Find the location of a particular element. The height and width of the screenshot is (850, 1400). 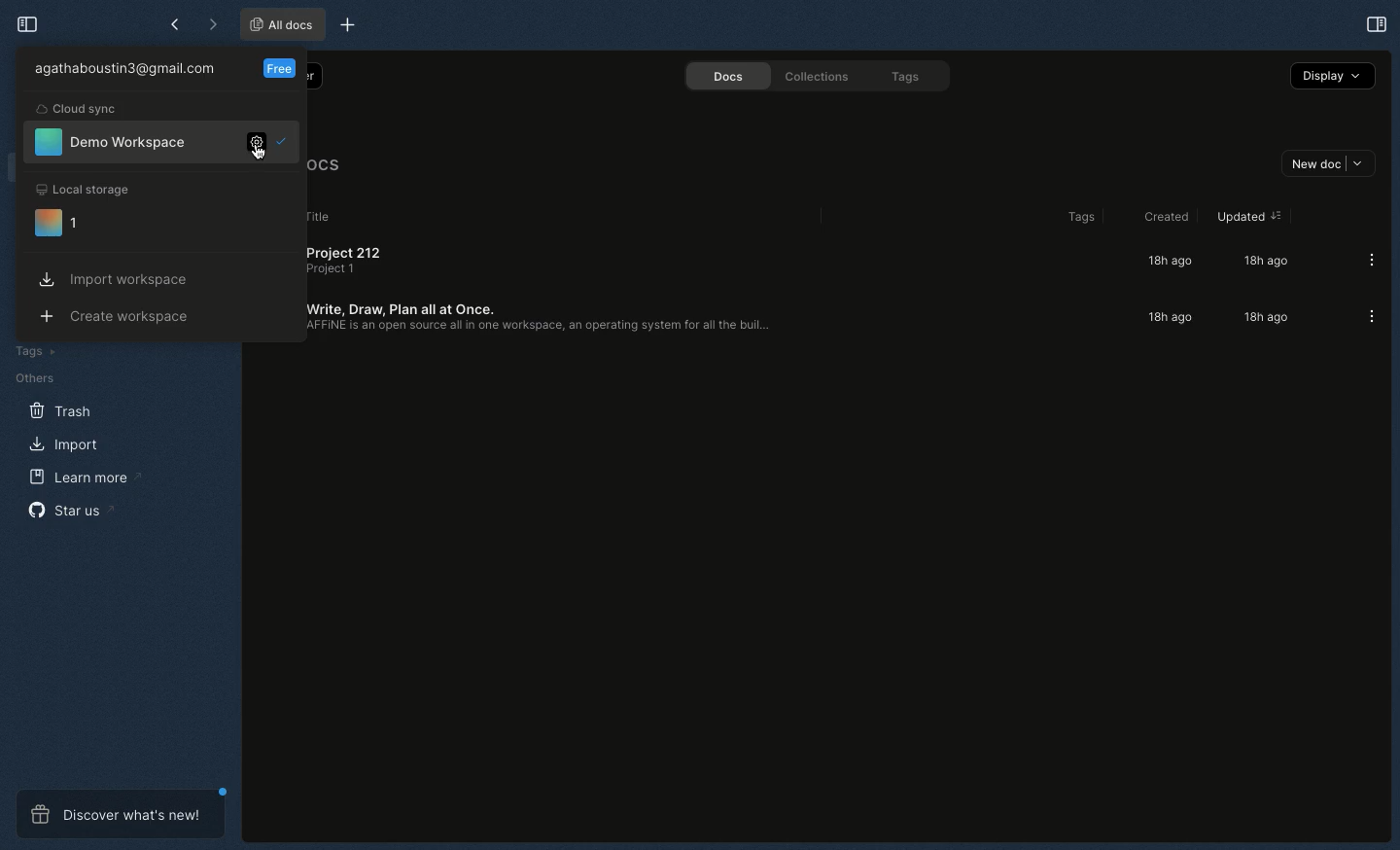

Display is located at coordinates (1331, 76).